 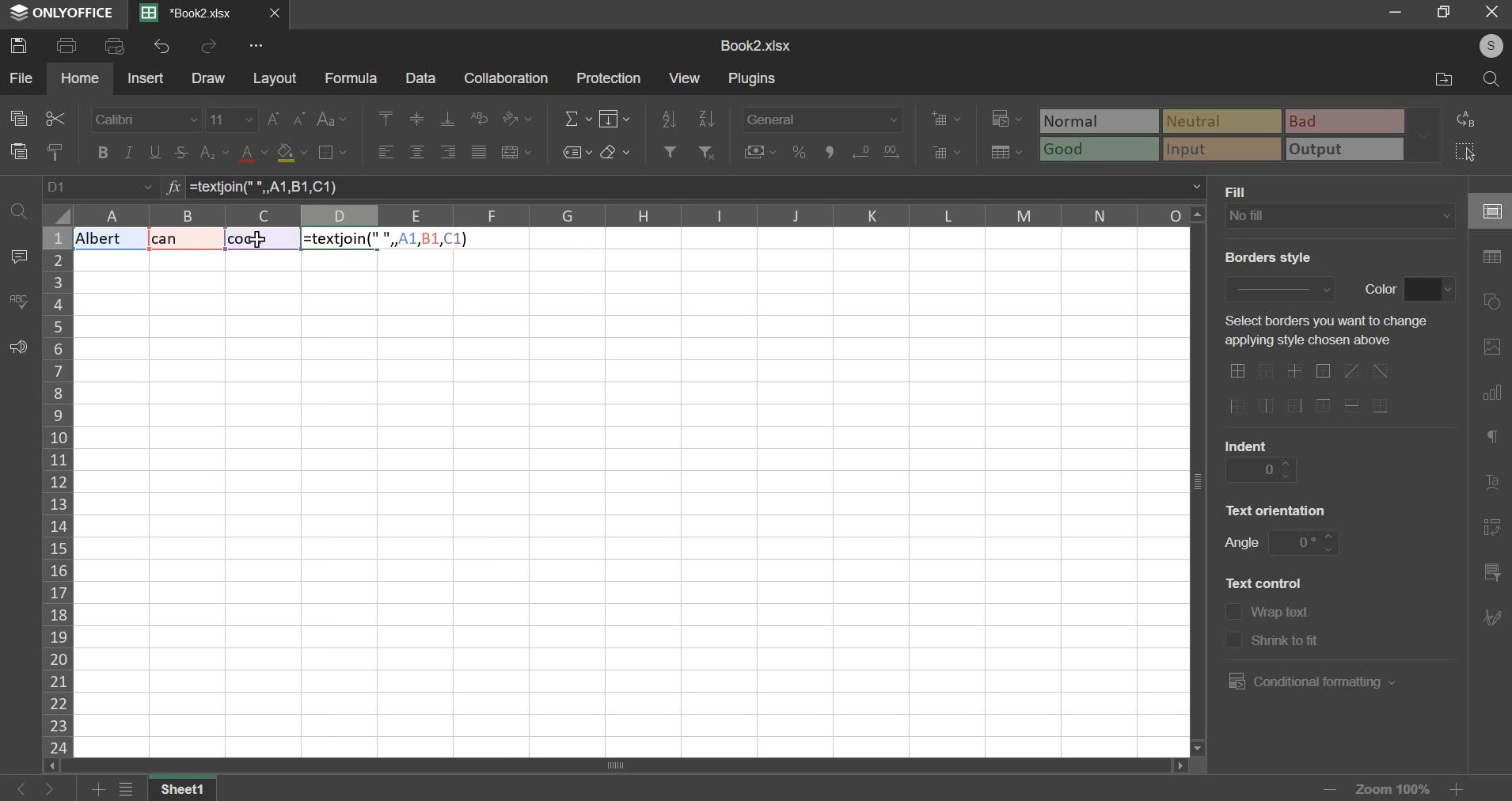 I want to click on picture or video, so click(x=1491, y=348).